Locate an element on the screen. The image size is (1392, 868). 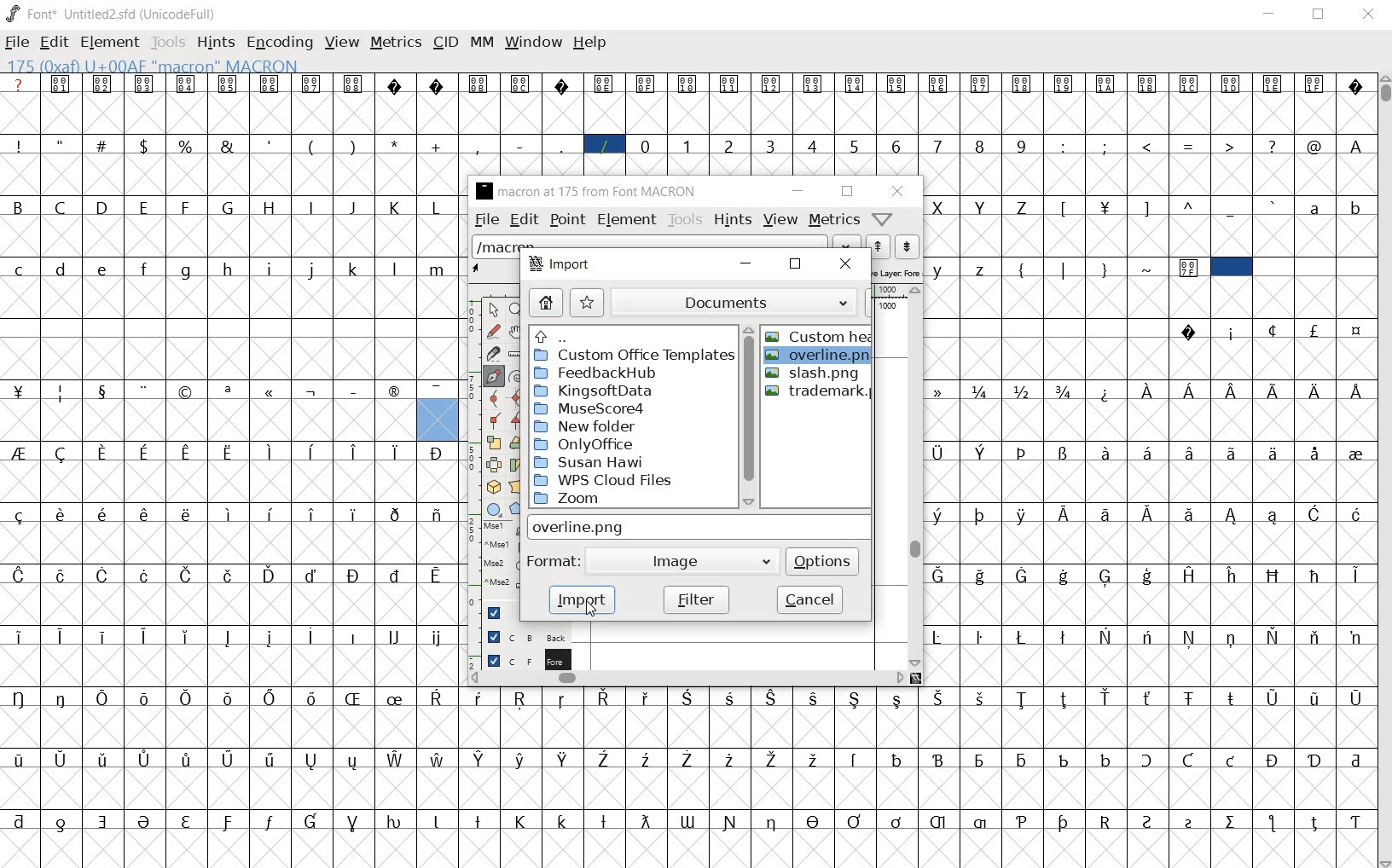
_ is located at coordinates (564, 146).